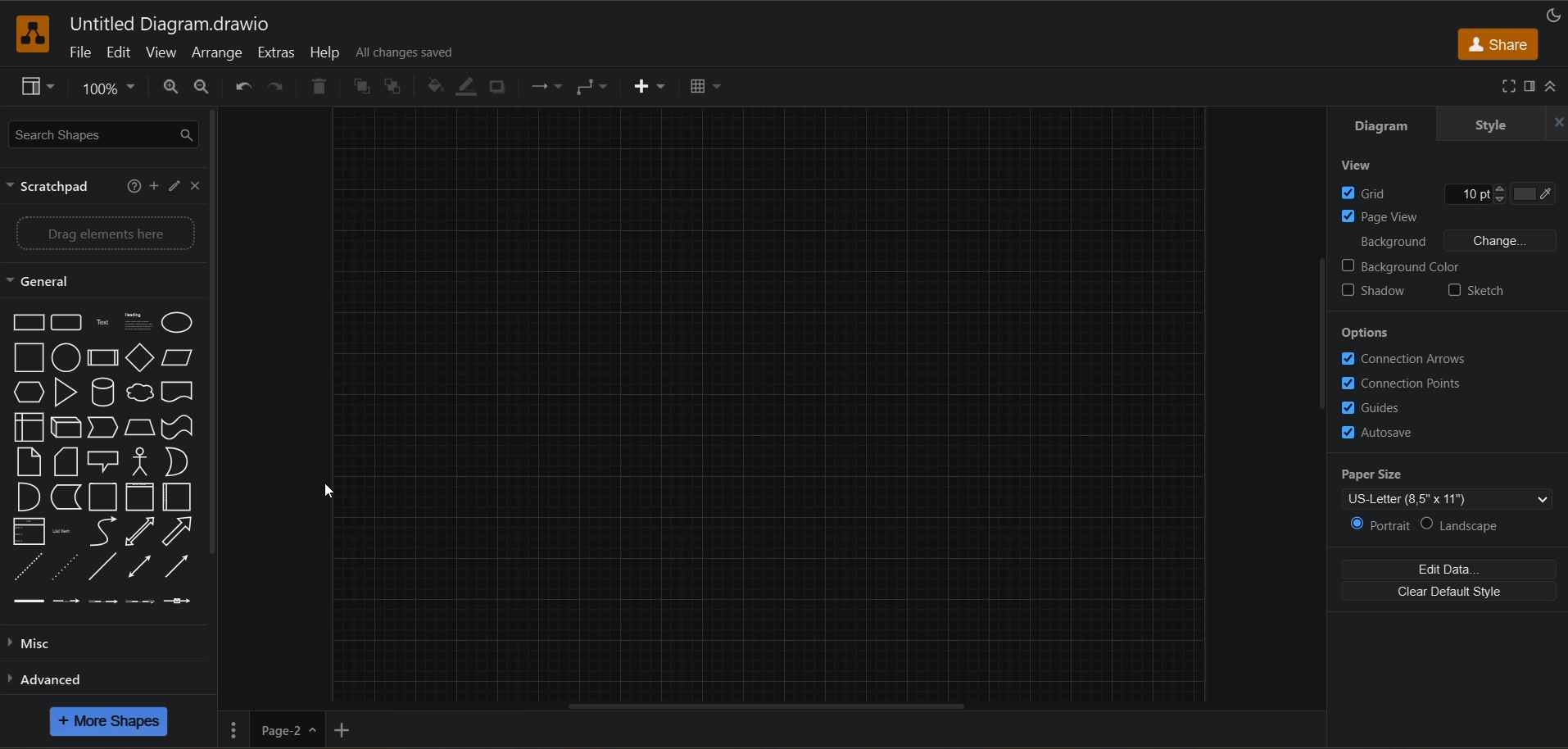 This screenshot has width=1568, height=749. What do you see at coordinates (1507, 86) in the screenshot?
I see `fullscreen` at bounding box center [1507, 86].